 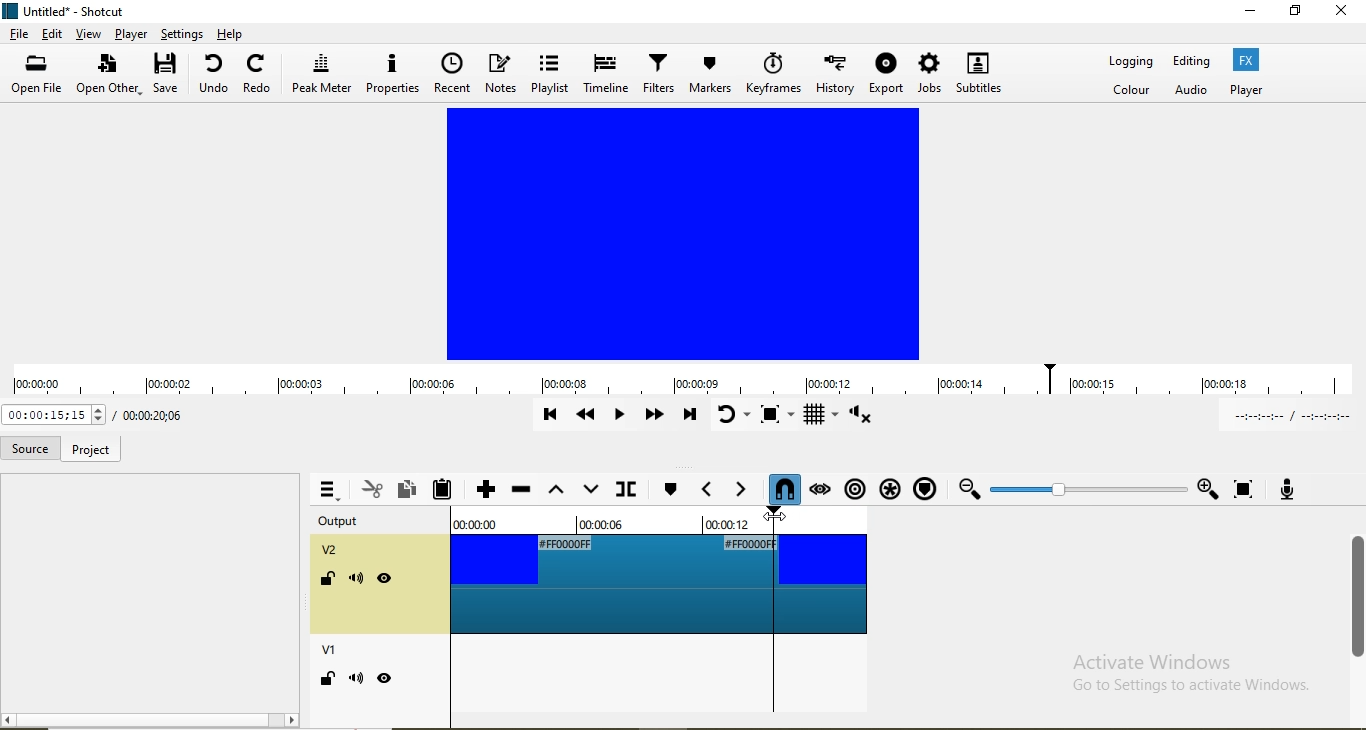 What do you see at coordinates (550, 415) in the screenshot?
I see `Skip to previous` at bounding box center [550, 415].